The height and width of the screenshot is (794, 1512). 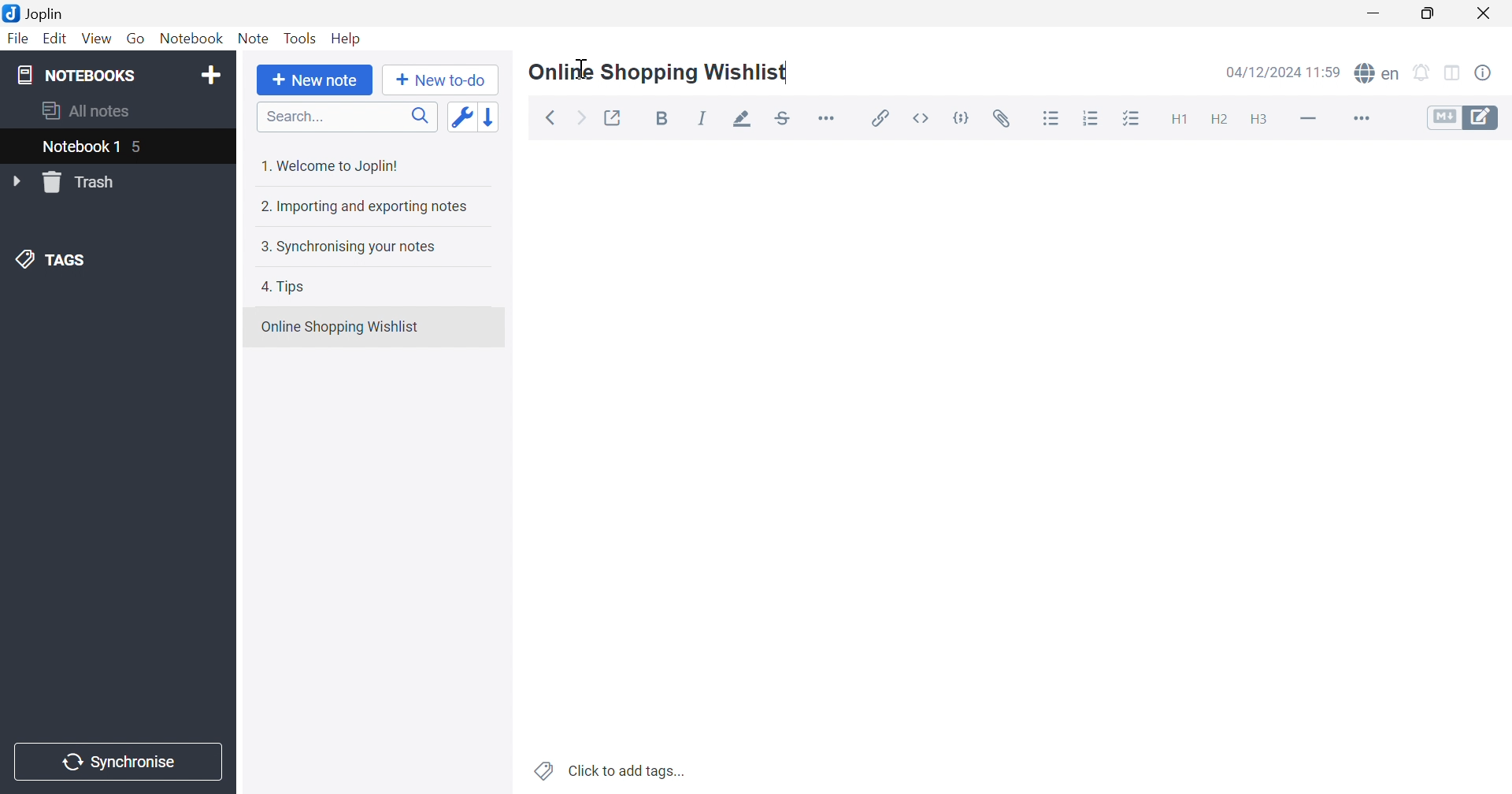 I want to click on Restore Down, so click(x=1429, y=14).